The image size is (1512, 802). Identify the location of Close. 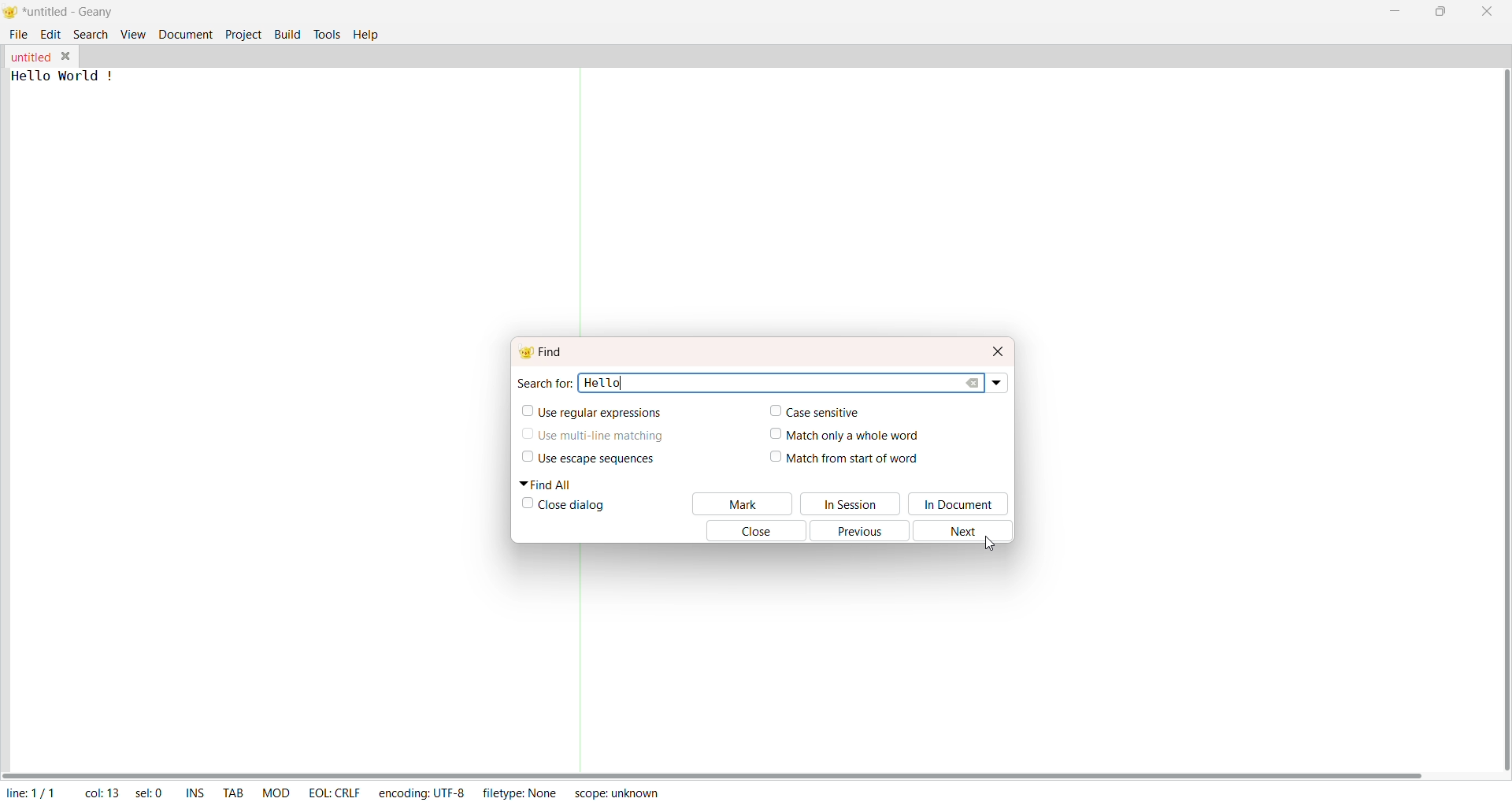
(750, 532).